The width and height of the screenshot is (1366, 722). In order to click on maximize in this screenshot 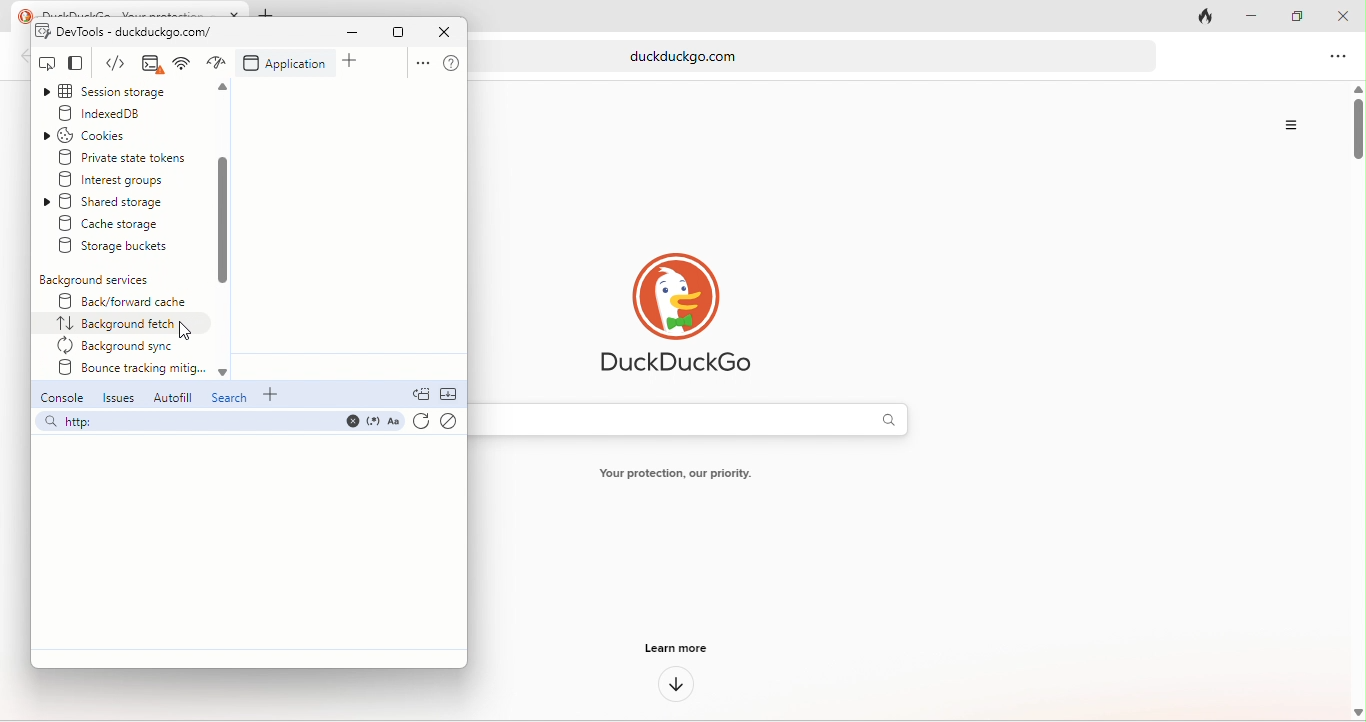, I will do `click(397, 32)`.